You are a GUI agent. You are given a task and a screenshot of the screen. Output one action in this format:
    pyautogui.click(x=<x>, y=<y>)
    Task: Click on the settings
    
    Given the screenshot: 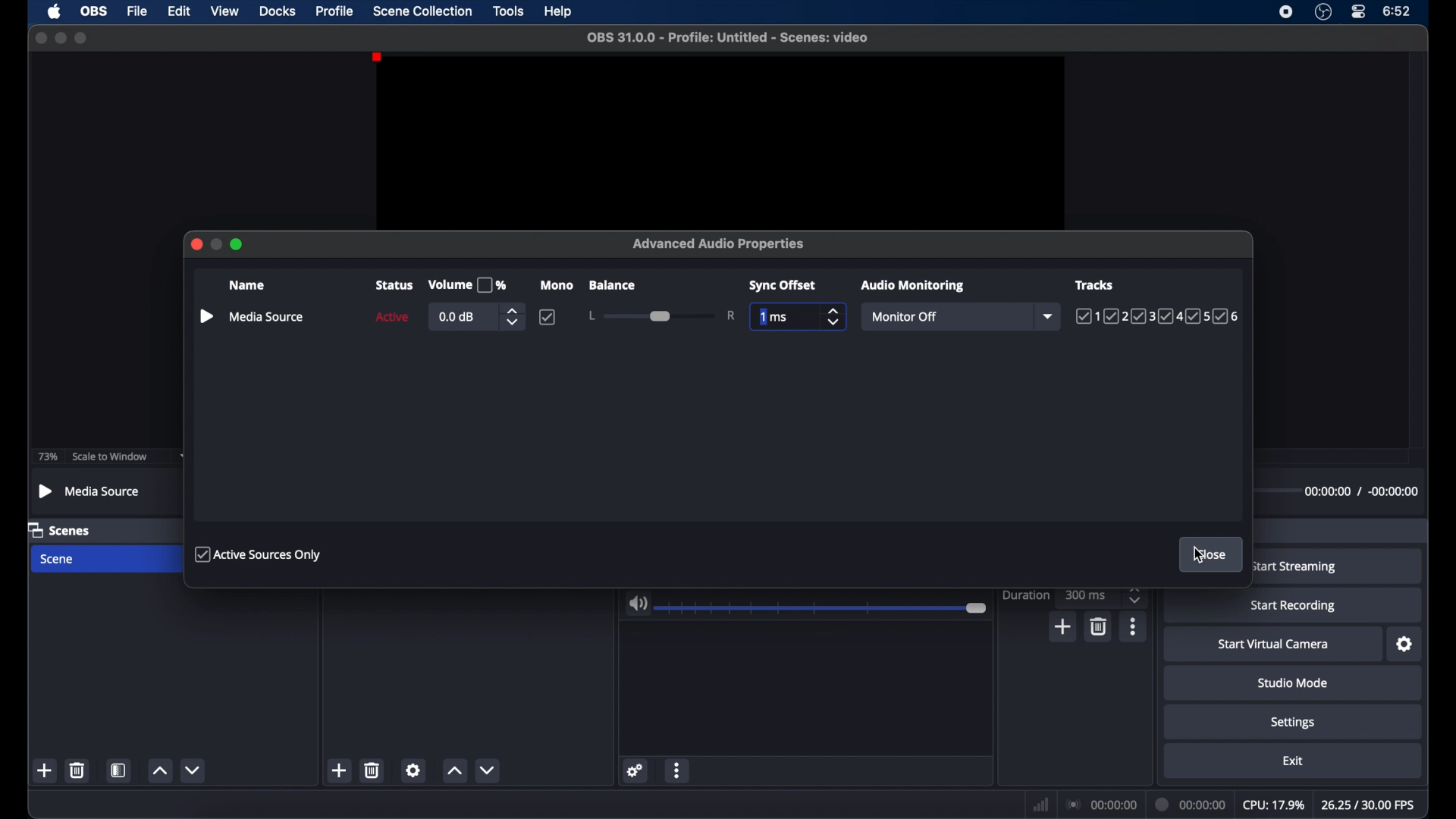 What is the action you would take?
    pyautogui.click(x=635, y=771)
    